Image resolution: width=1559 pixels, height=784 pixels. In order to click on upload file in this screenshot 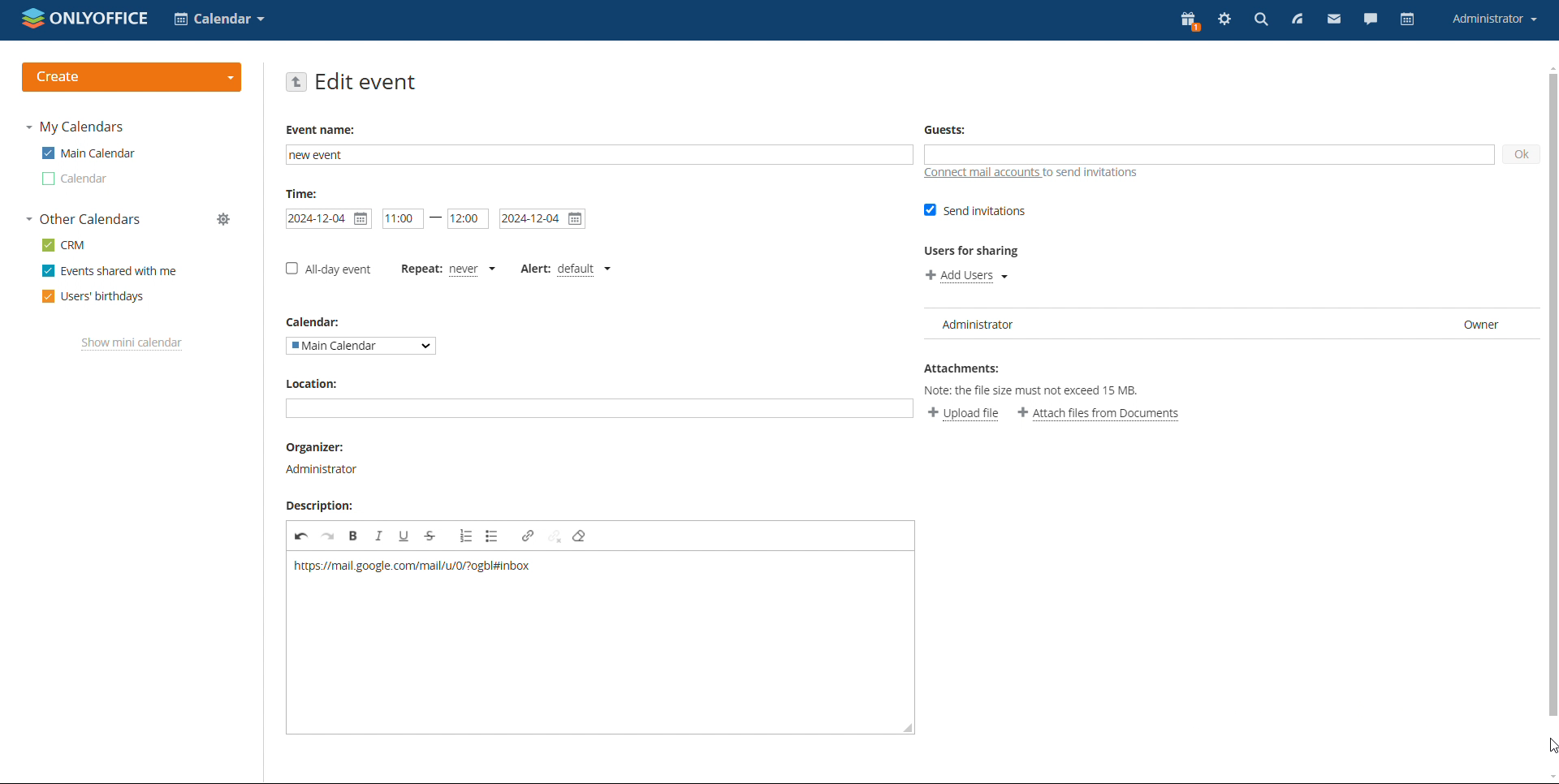, I will do `click(963, 414)`.